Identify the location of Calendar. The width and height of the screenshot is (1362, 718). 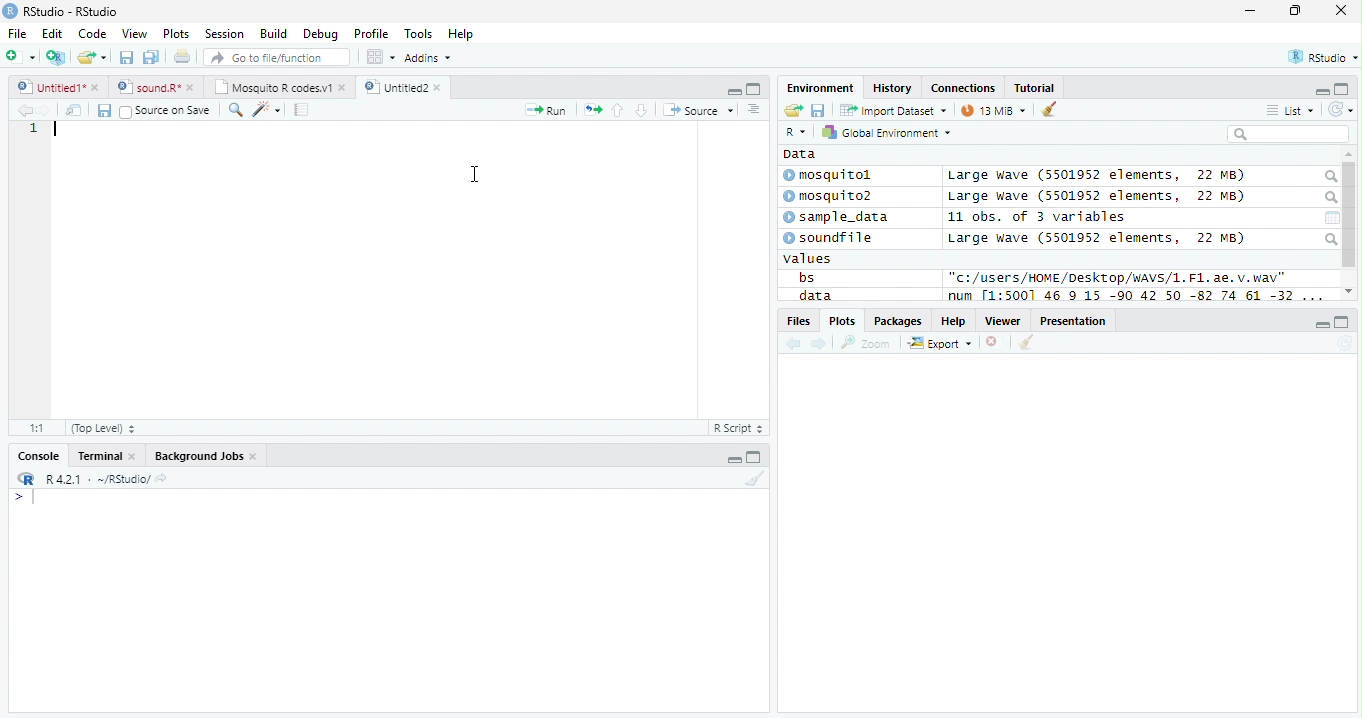
(1332, 218).